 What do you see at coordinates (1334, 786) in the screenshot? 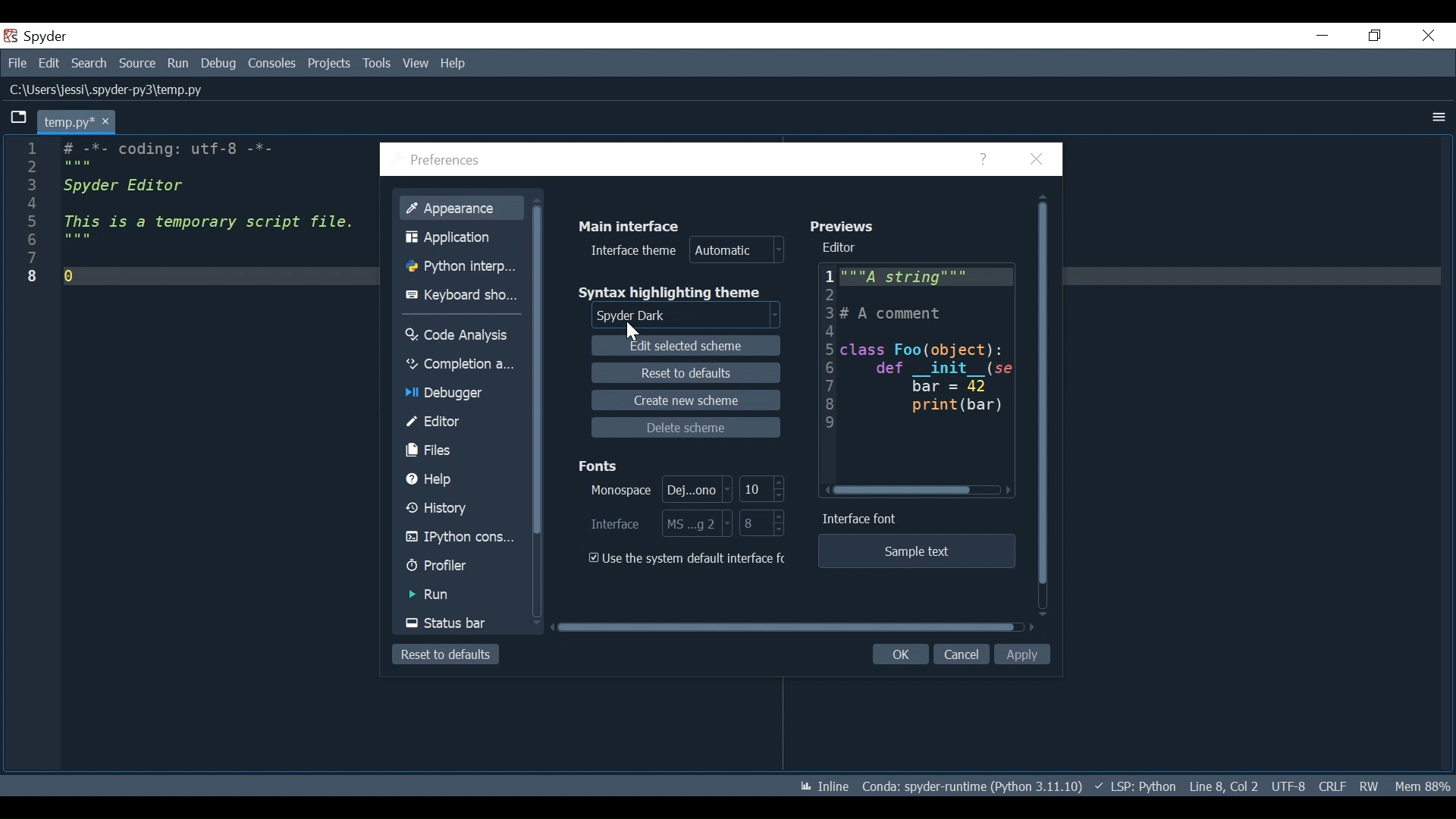
I see `File EQL Status` at bounding box center [1334, 786].